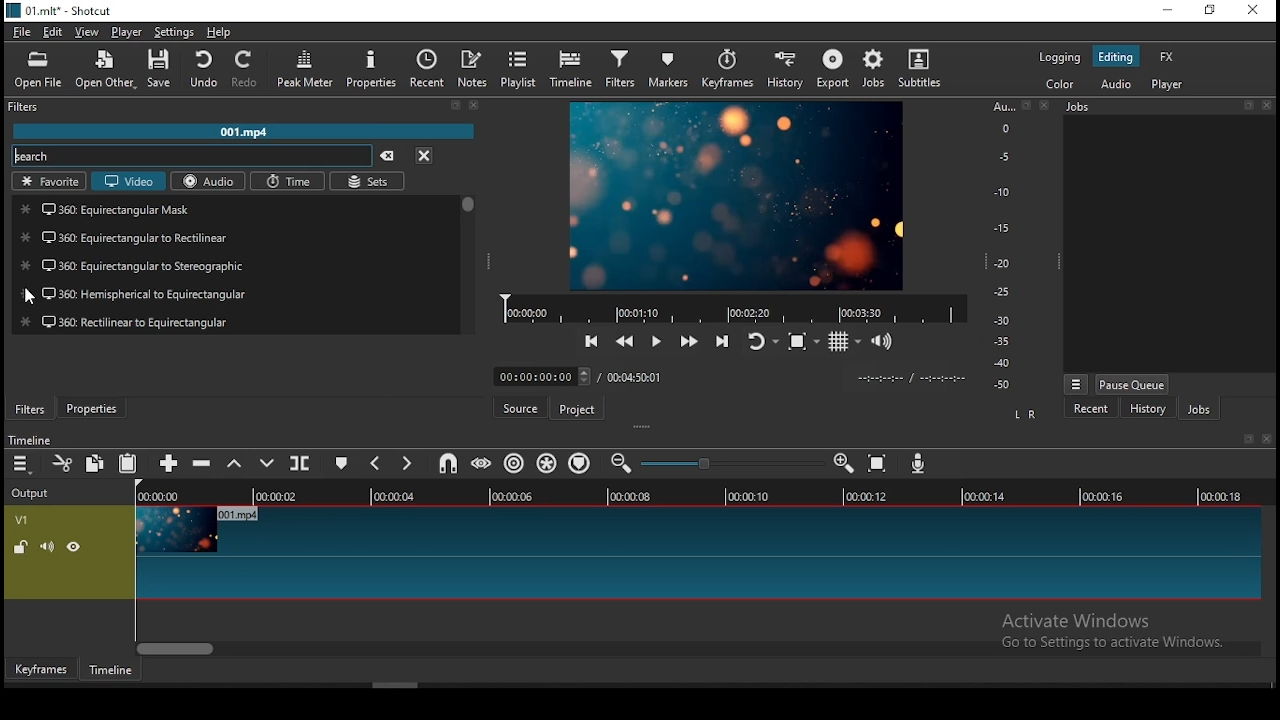  I want to click on filter option, so click(244, 320).